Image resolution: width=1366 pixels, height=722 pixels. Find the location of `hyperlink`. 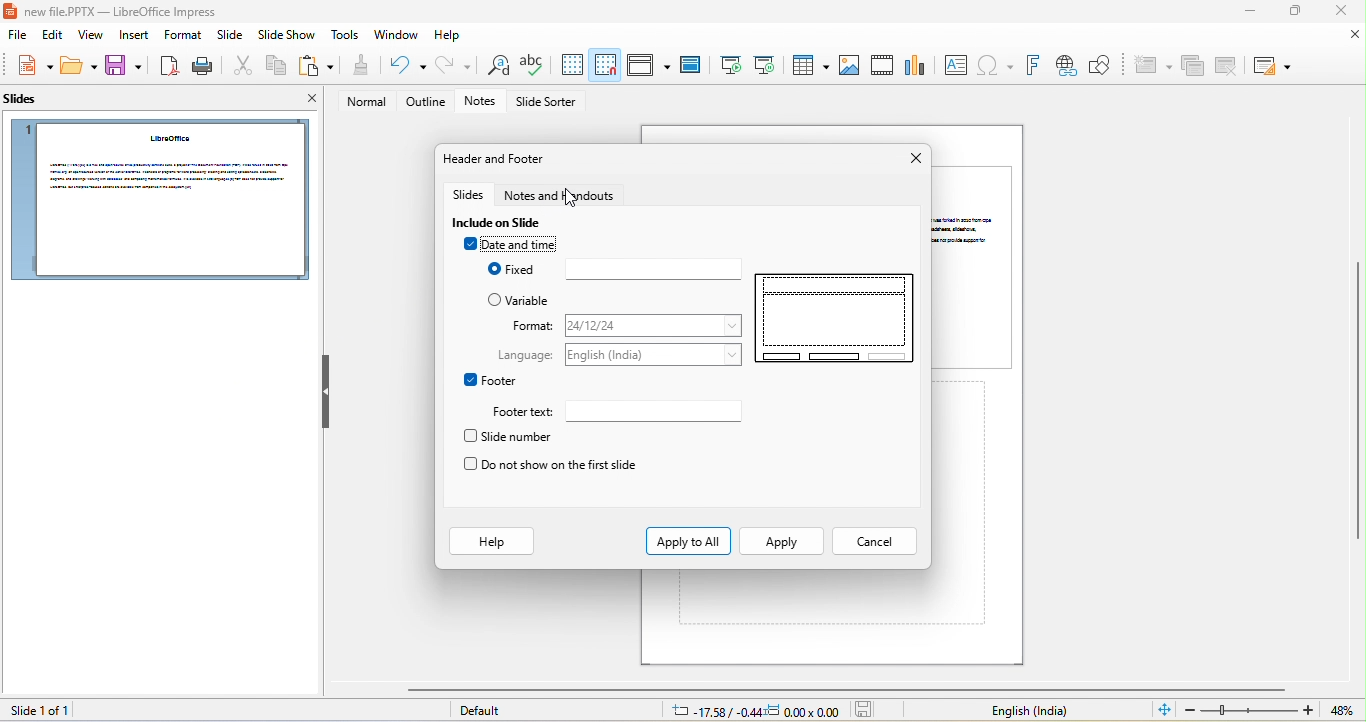

hyperlink is located at coordinates (1065, 66).